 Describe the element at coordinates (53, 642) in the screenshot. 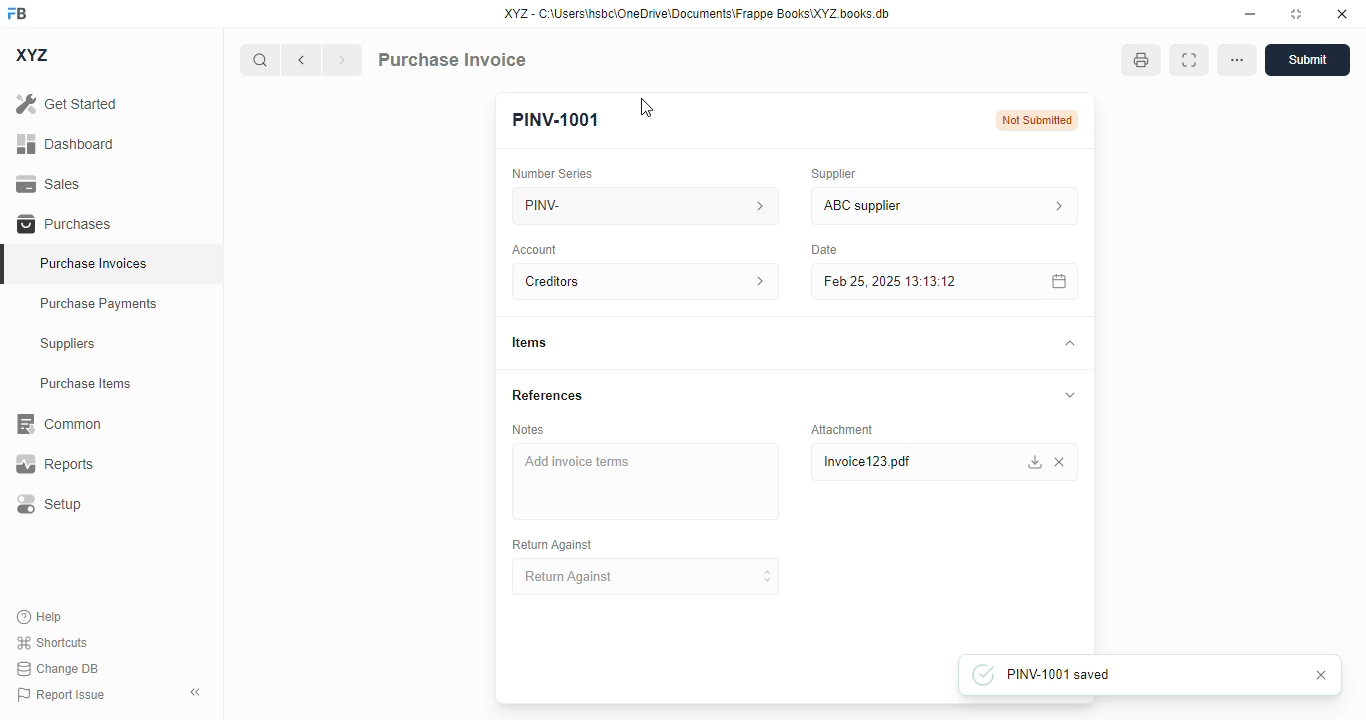

I see `shortcuts` at that location.